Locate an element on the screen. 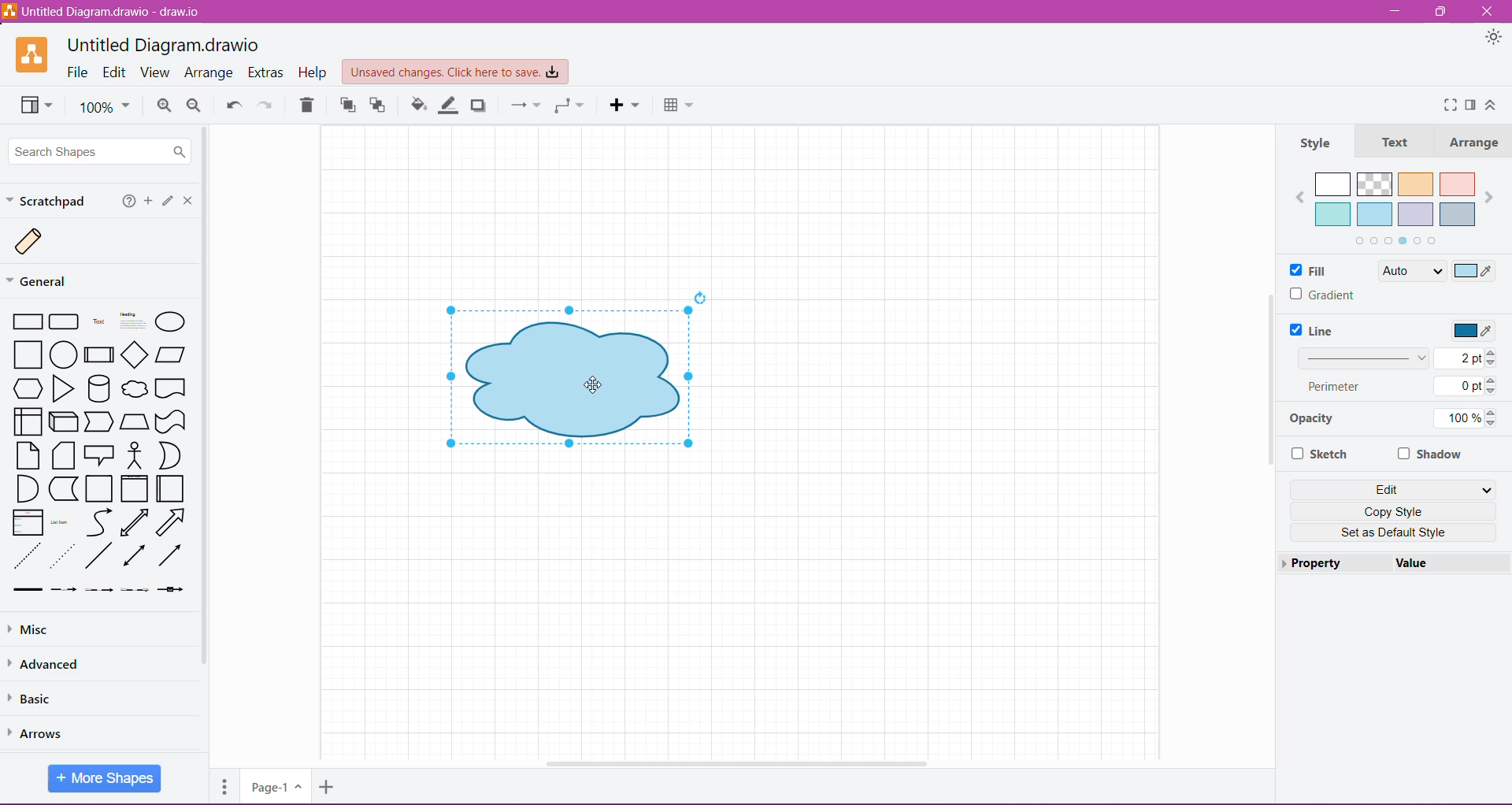 Image resolution: width=1512 pixels, height=805 pixels. Page-1 is located at coordinates (274, 787).